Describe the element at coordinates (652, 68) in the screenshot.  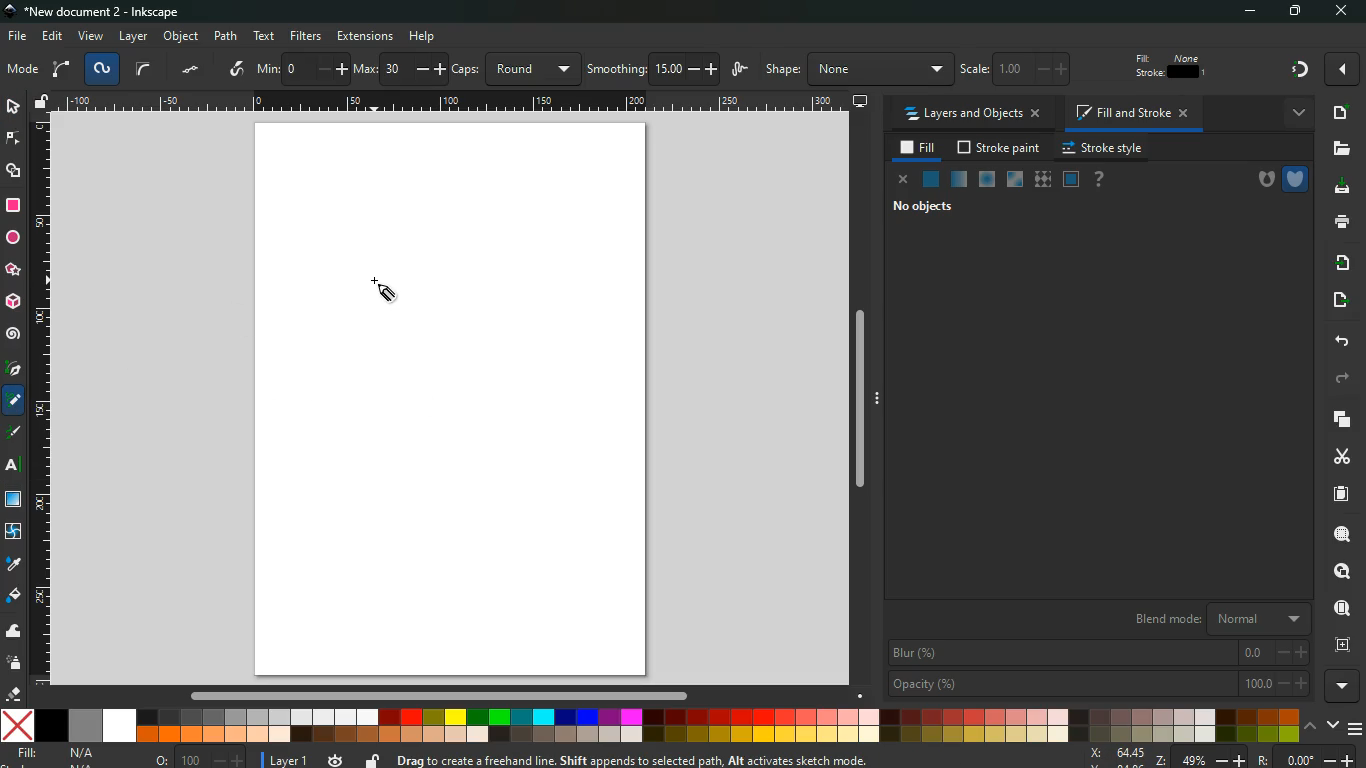
I see `smoothing` at that location.